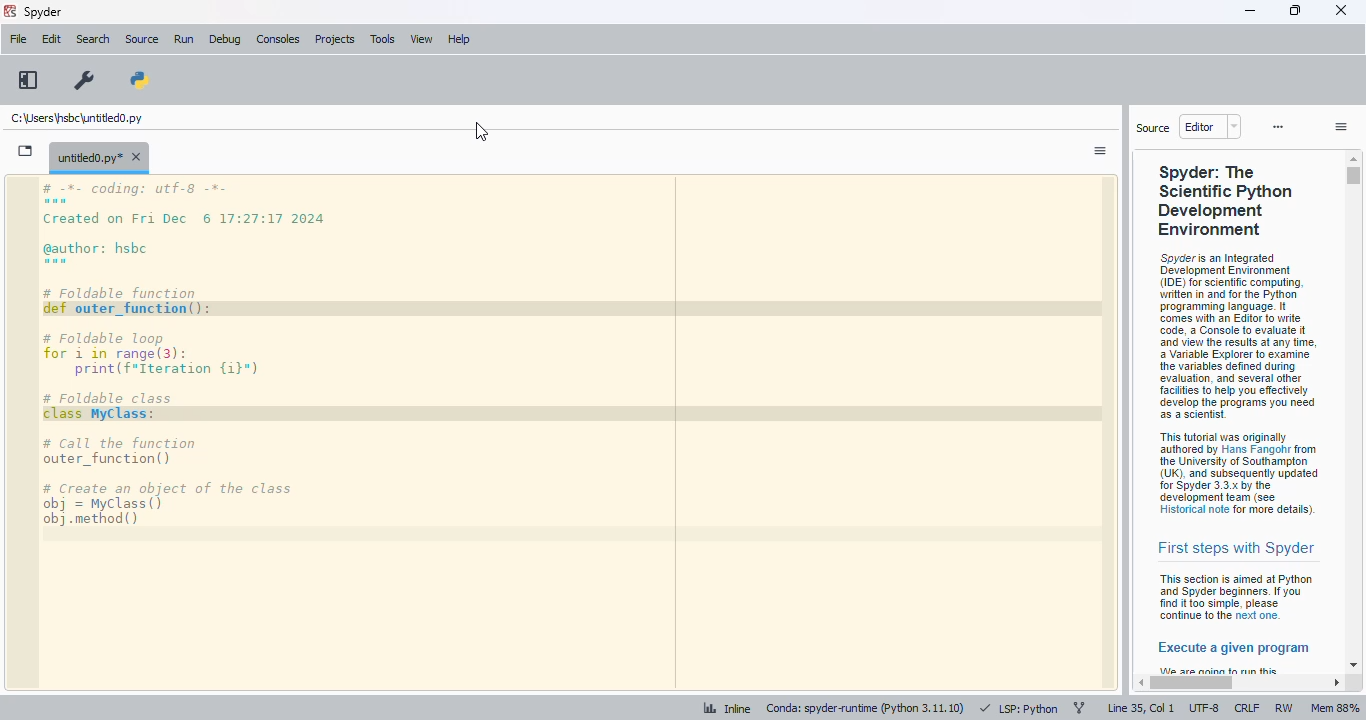 The image size is (1366, 720). I want to click on UTF-8, so click(1204, 708).